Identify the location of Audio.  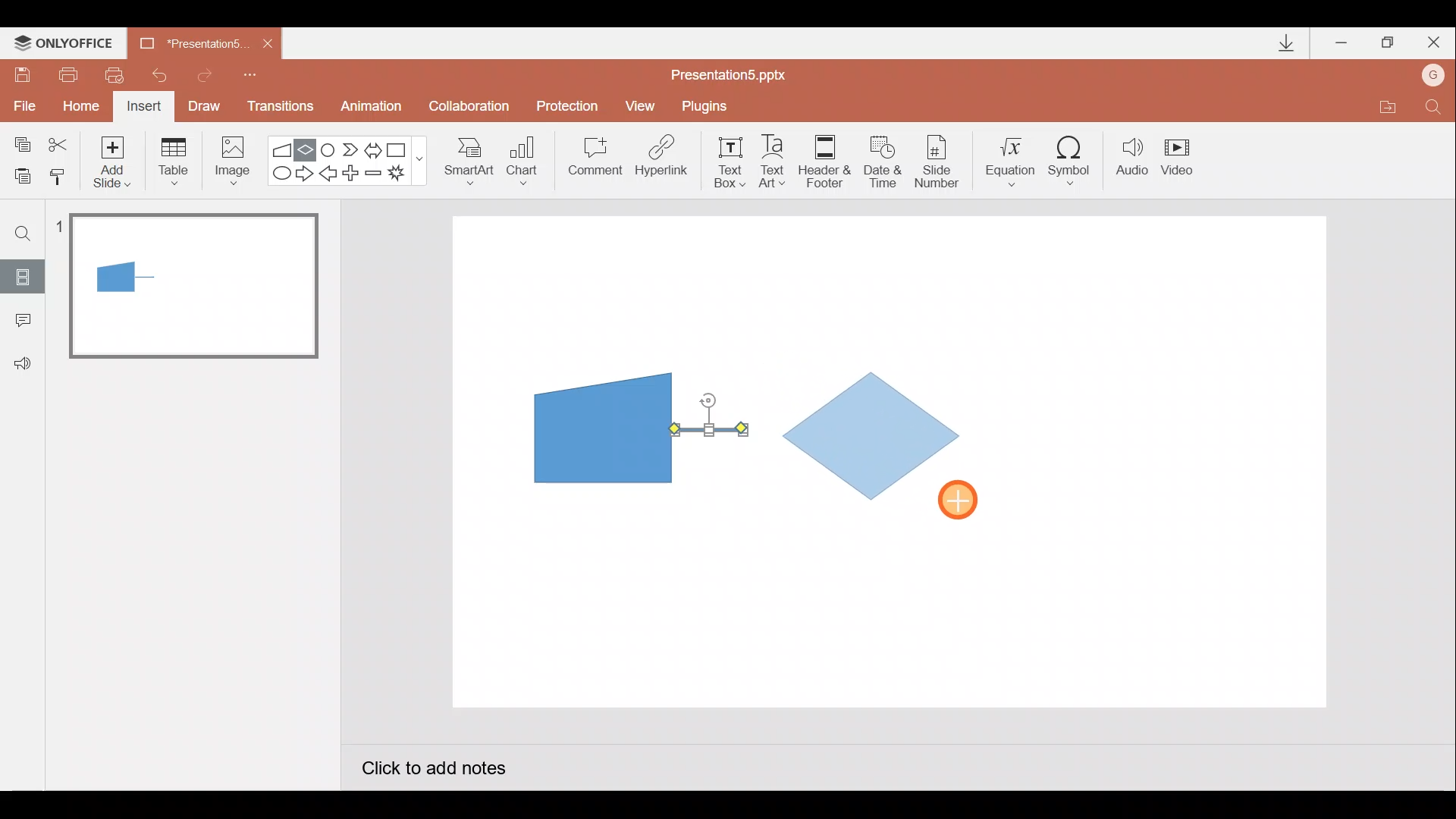
(1133, 160).